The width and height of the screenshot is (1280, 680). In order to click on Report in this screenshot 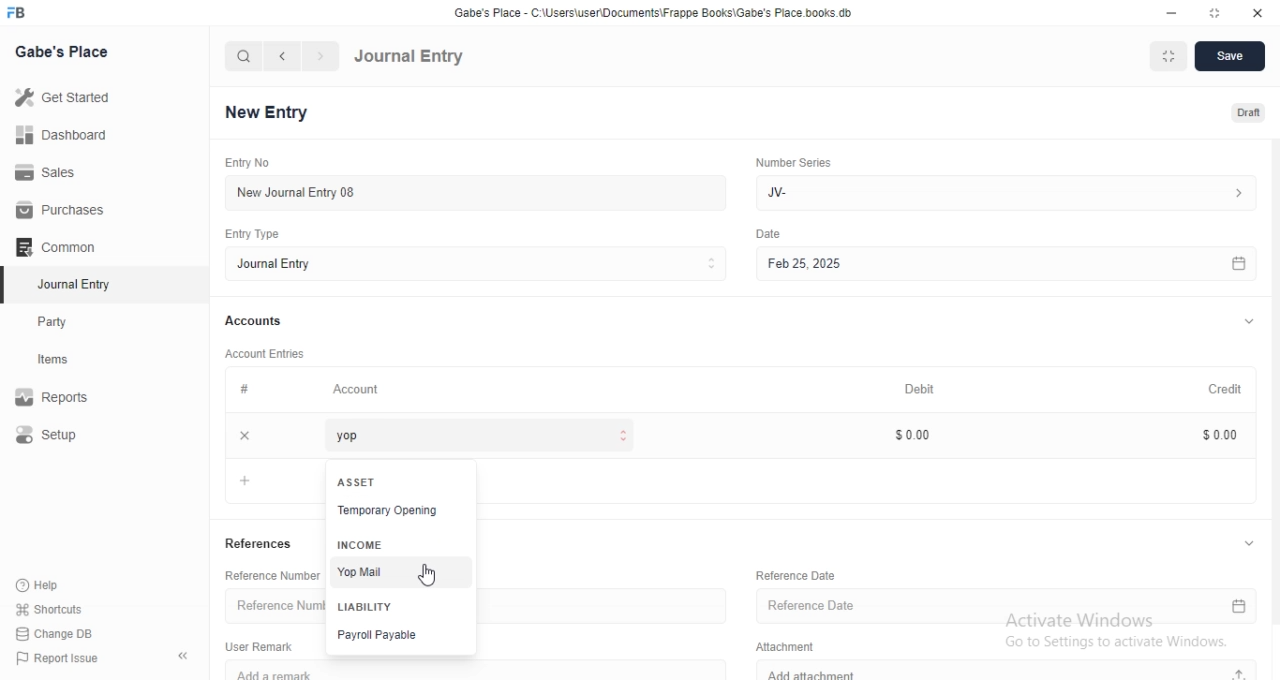, I will do `click(67, 397)`.